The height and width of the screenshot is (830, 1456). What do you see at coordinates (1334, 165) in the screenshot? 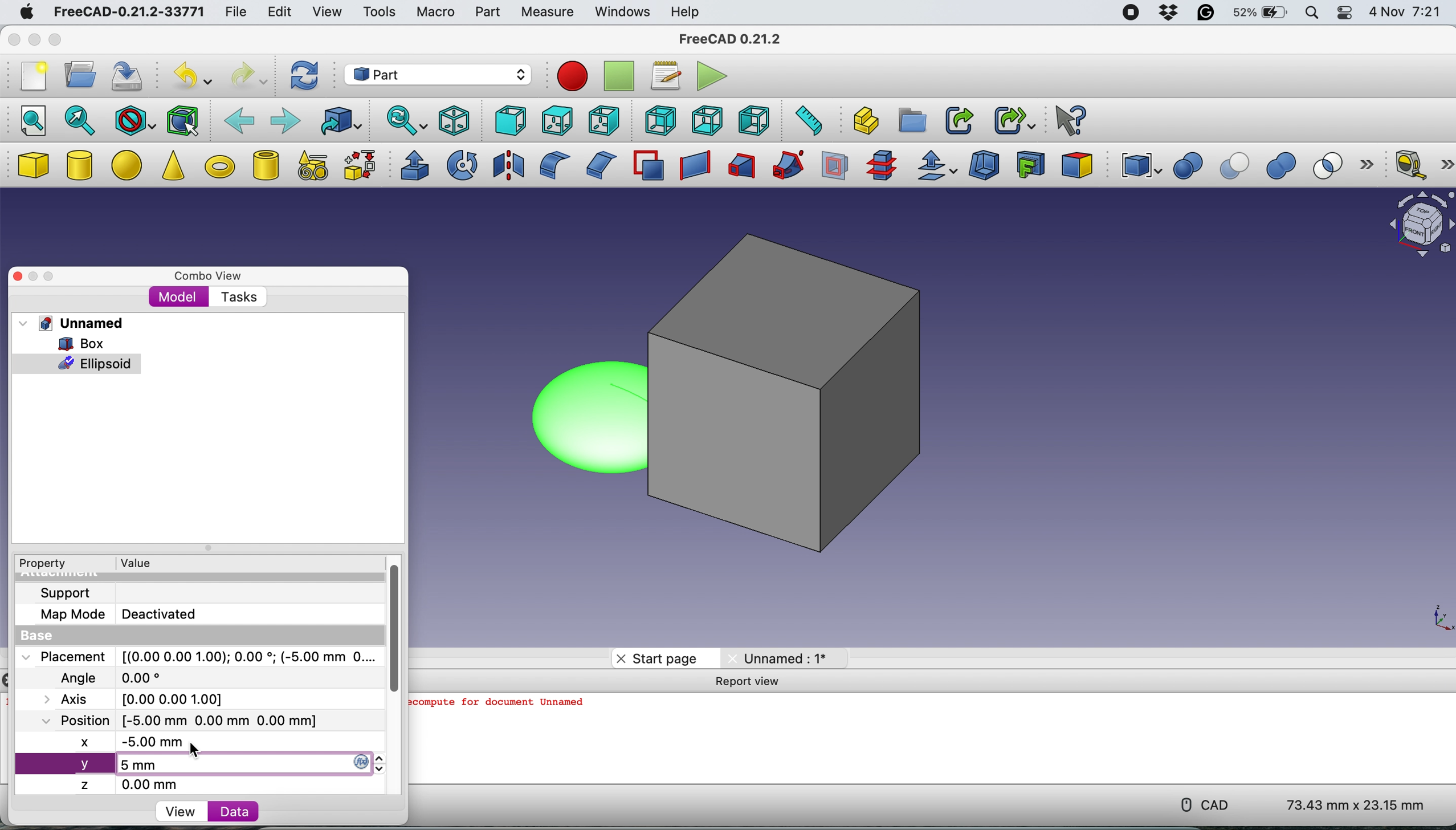
I see `intersection` at bounding box center [1334, 165].